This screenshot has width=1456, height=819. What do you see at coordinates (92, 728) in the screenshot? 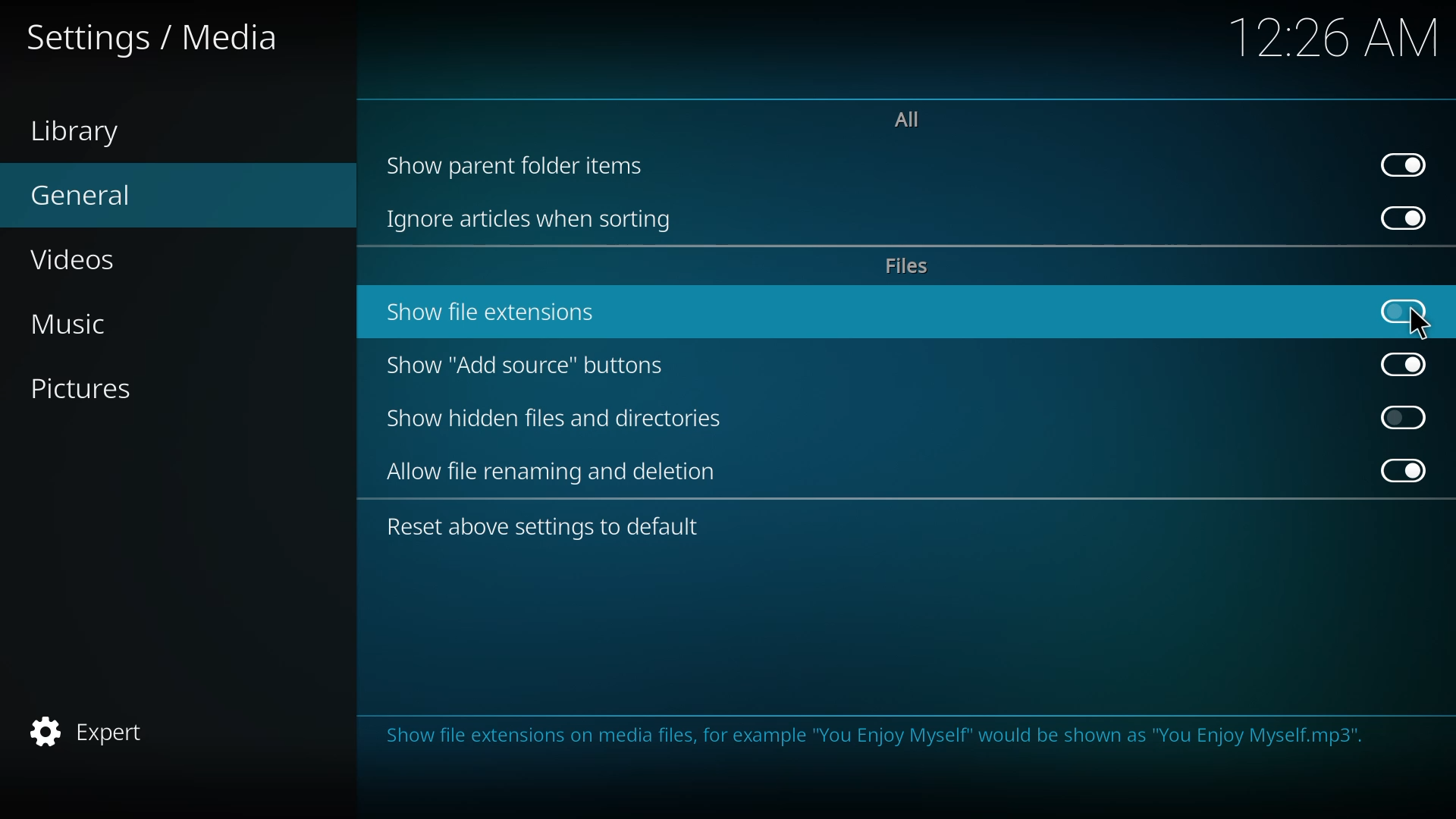
I see `expert` at bounding box center [92, 728].